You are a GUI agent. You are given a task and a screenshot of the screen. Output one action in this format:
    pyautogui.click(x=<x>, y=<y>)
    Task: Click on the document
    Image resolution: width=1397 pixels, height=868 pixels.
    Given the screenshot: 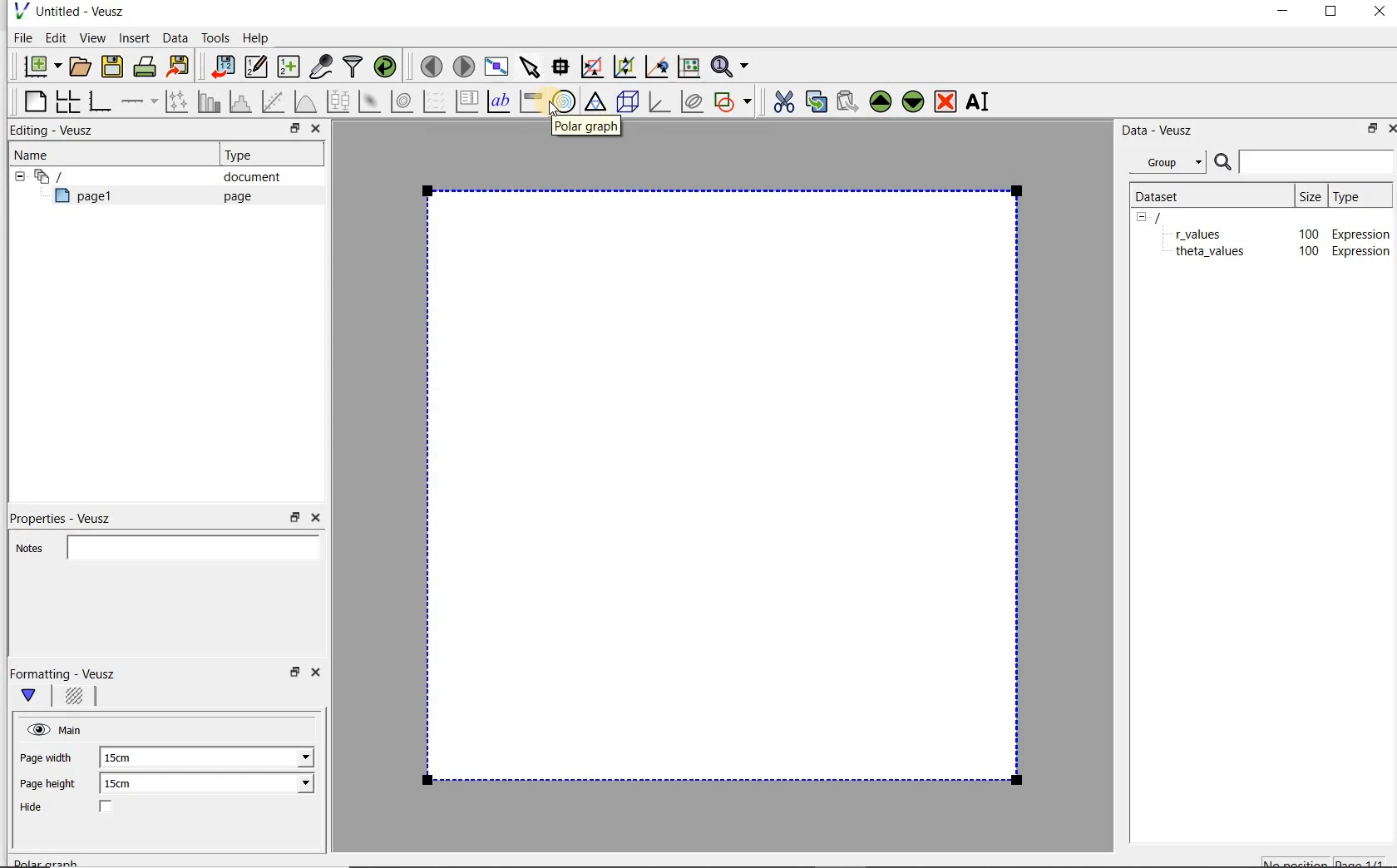 What is the action you would take?
    pyautogui.click(x=245, y=177)
    